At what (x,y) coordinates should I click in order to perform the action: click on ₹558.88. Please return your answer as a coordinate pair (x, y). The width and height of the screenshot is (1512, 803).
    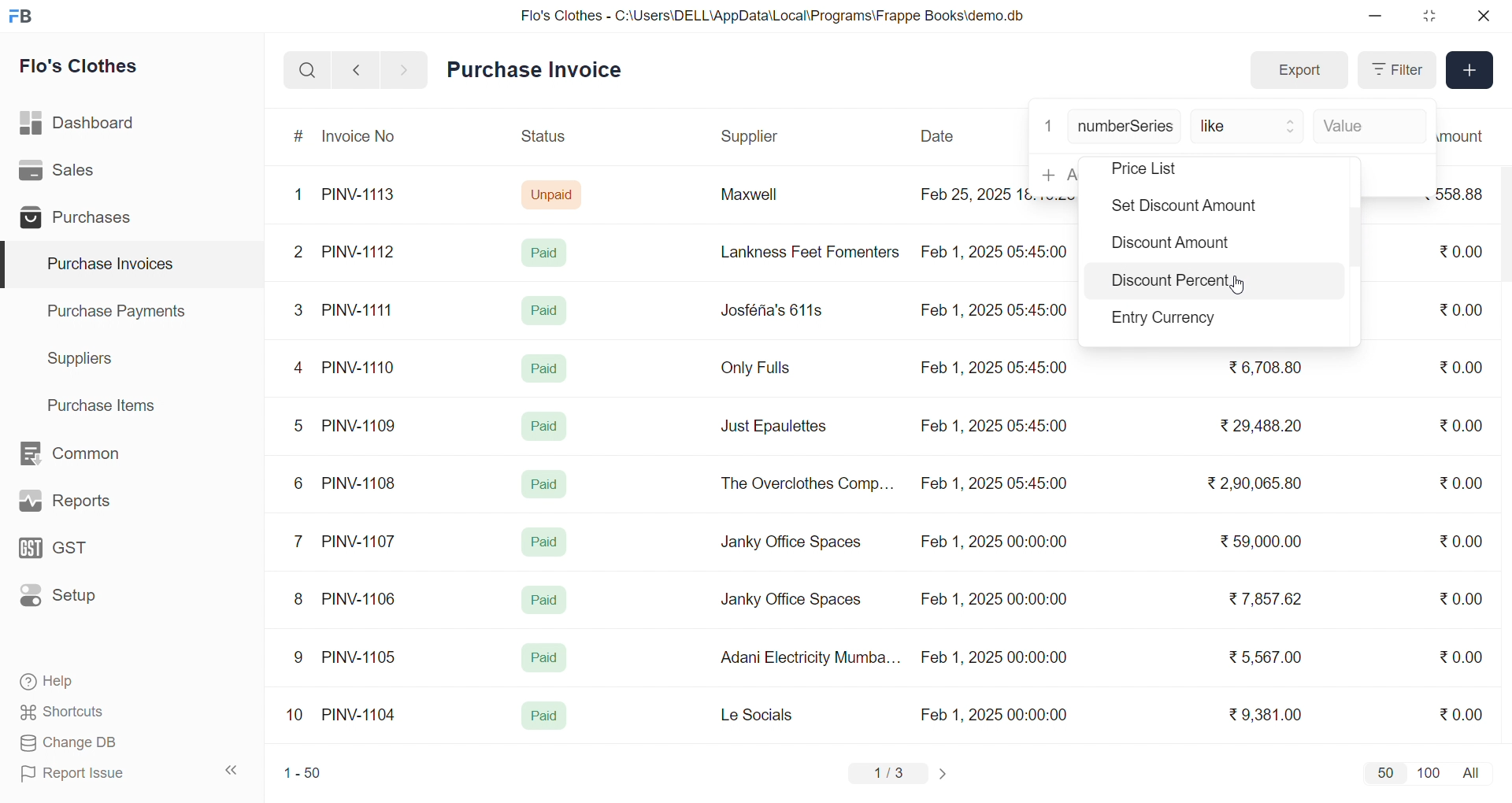
    Looking at the image, I should click on (1466, 194).